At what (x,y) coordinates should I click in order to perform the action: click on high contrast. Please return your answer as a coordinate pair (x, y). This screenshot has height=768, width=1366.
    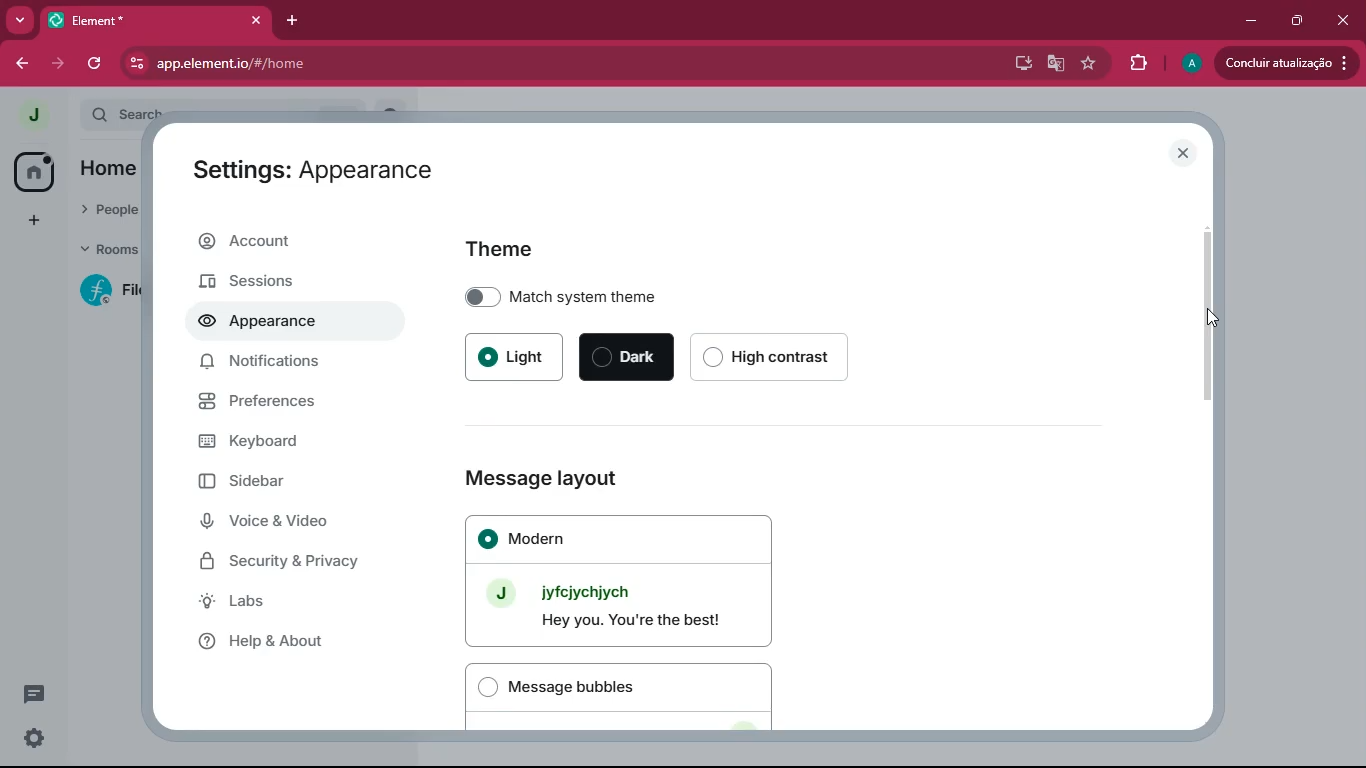
    Looking at the image, I should click on (779, 358).